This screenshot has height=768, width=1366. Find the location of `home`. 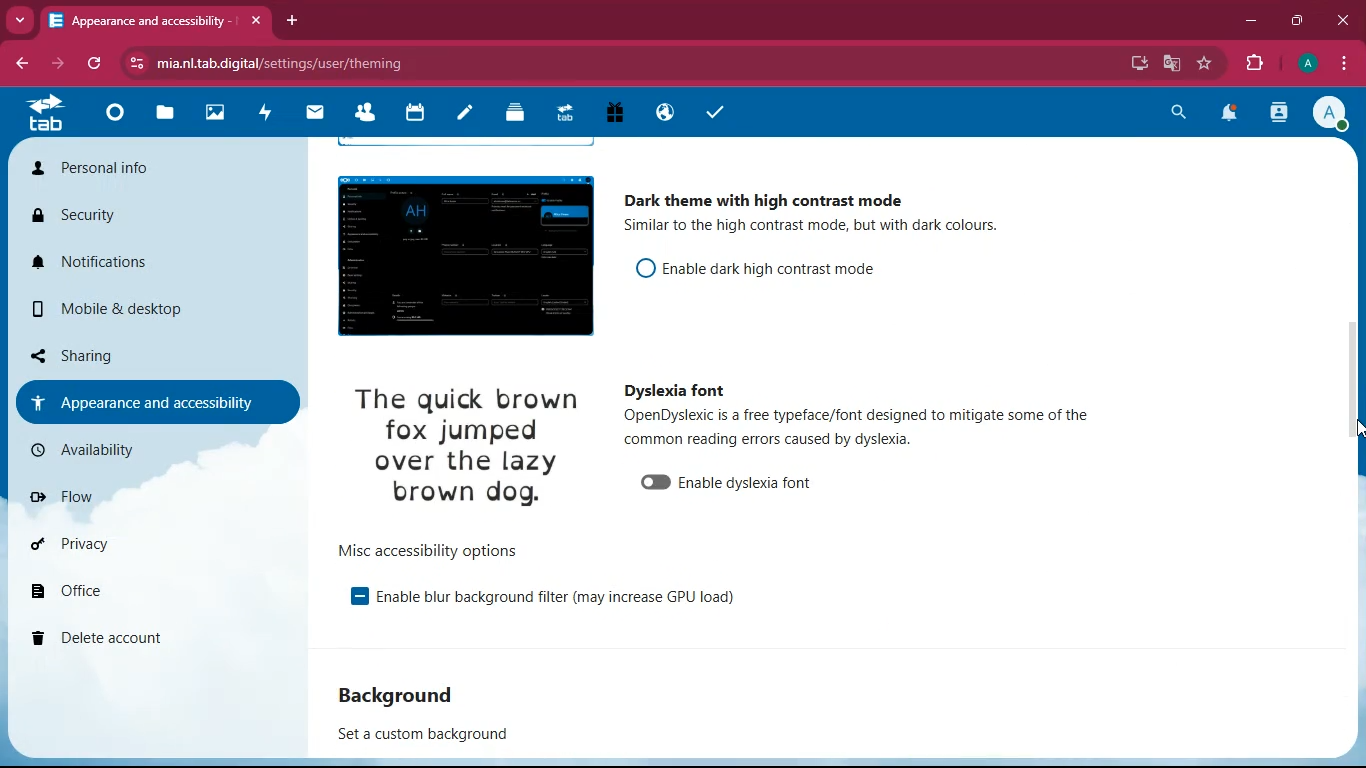

home is located at coordinates (118, 117).